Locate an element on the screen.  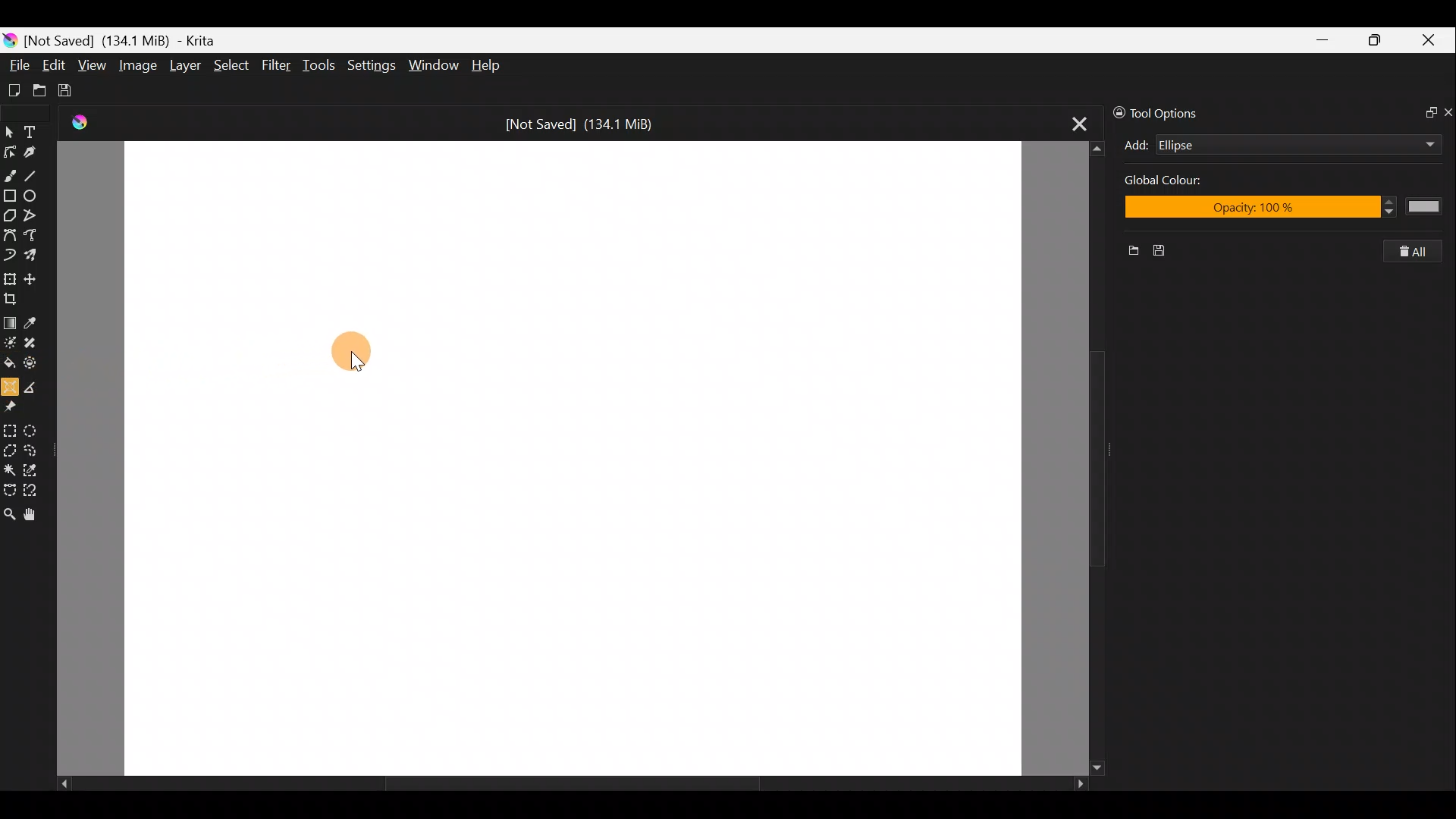
Tools is located at coordinates (322, 67).